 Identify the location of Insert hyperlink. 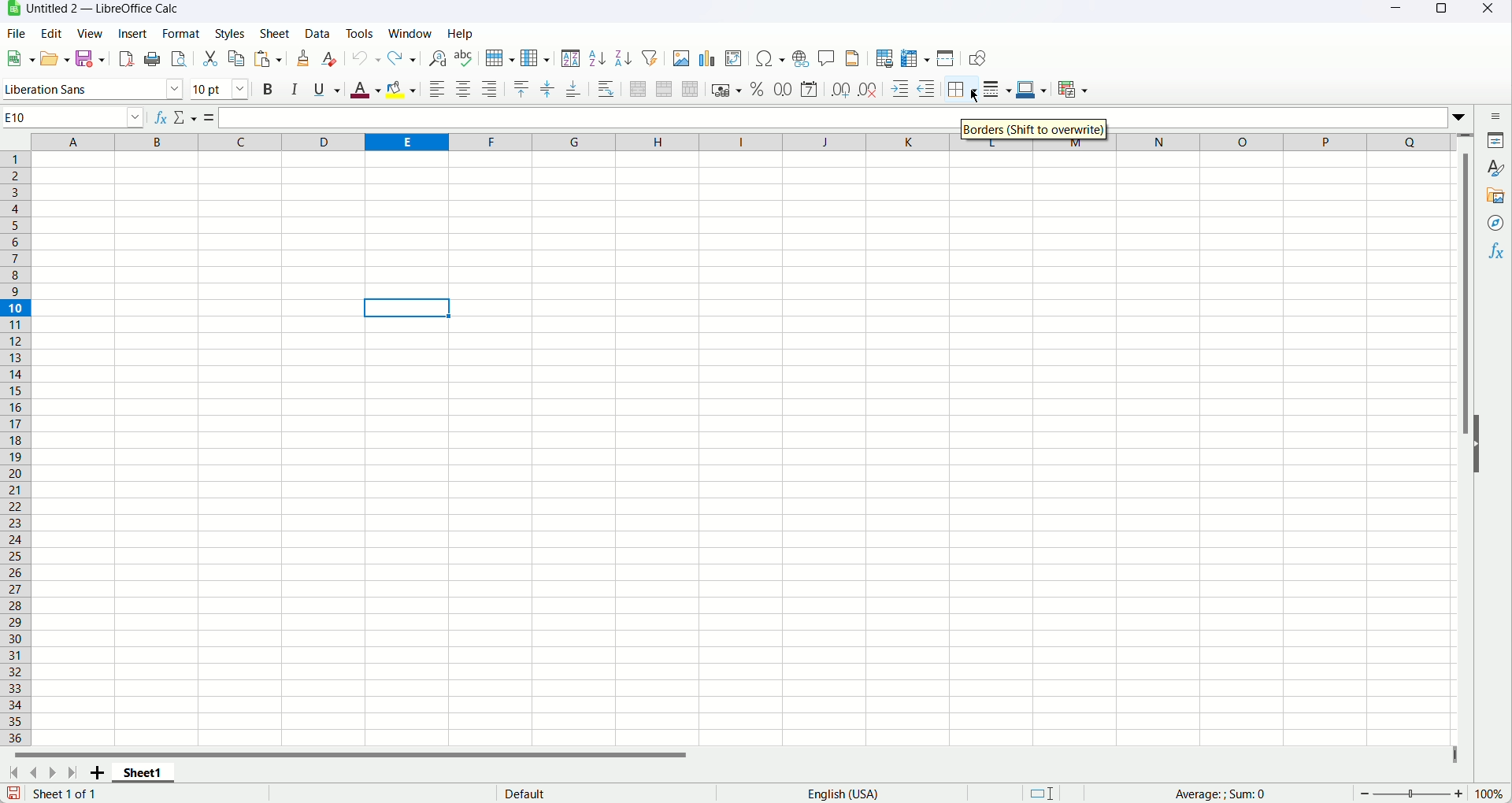
(802, 59).